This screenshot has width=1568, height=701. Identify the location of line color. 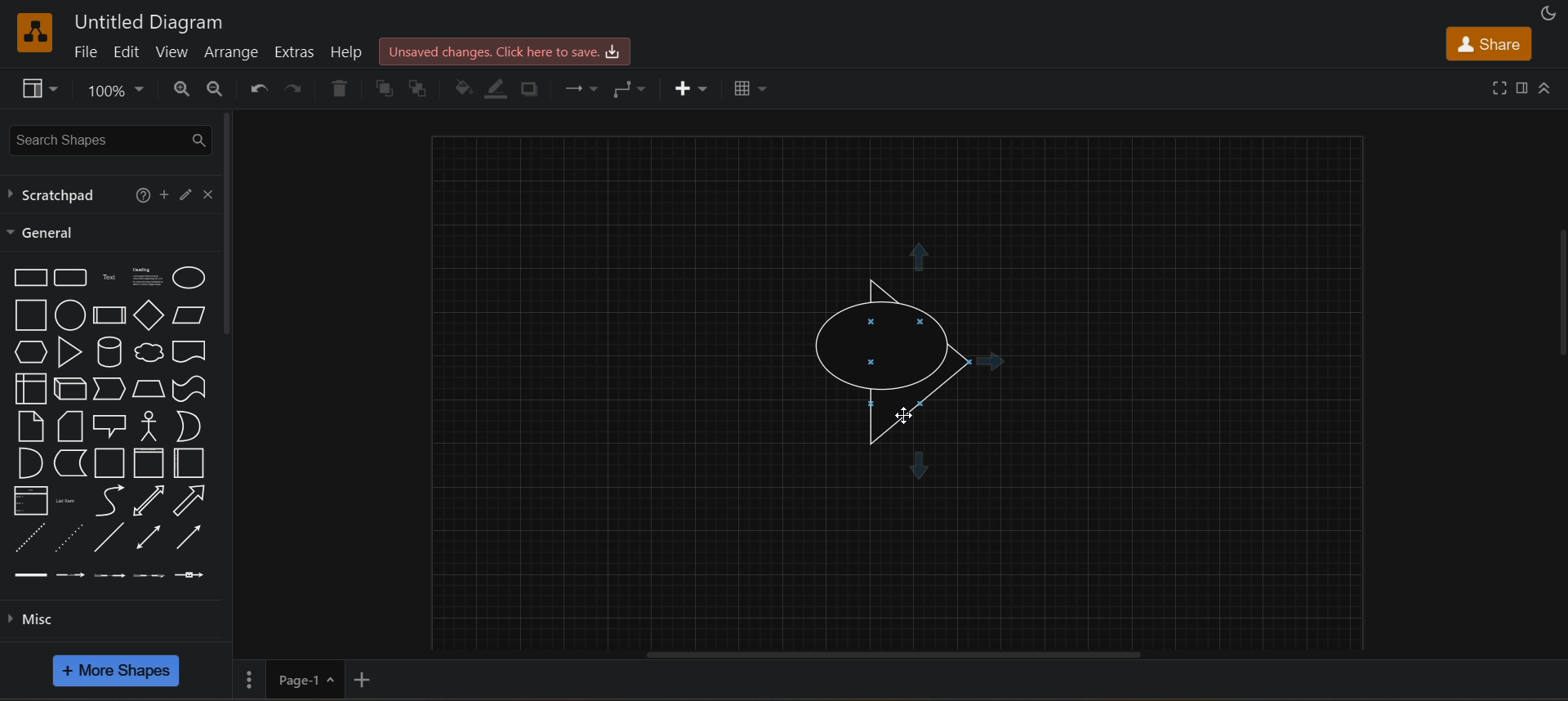
(495, 89).